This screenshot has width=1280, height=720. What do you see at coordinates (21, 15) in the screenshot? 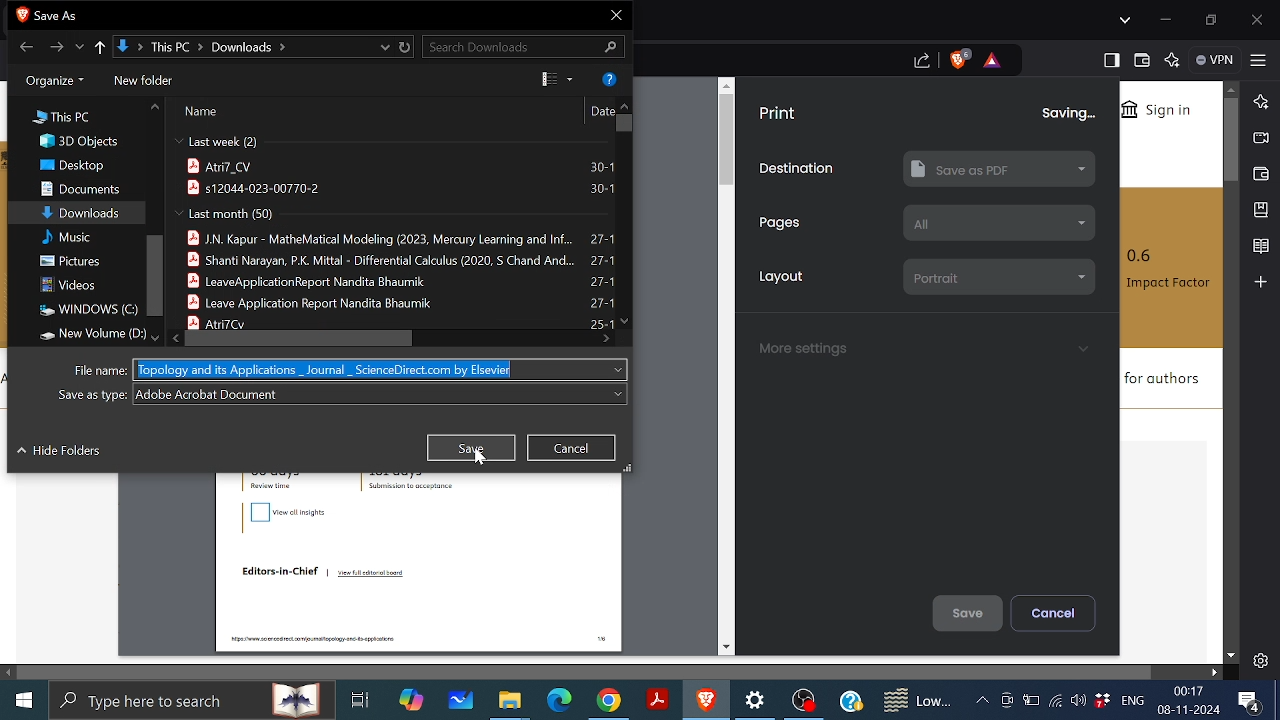
I see `brave icon` at bounding box center [21, 15].